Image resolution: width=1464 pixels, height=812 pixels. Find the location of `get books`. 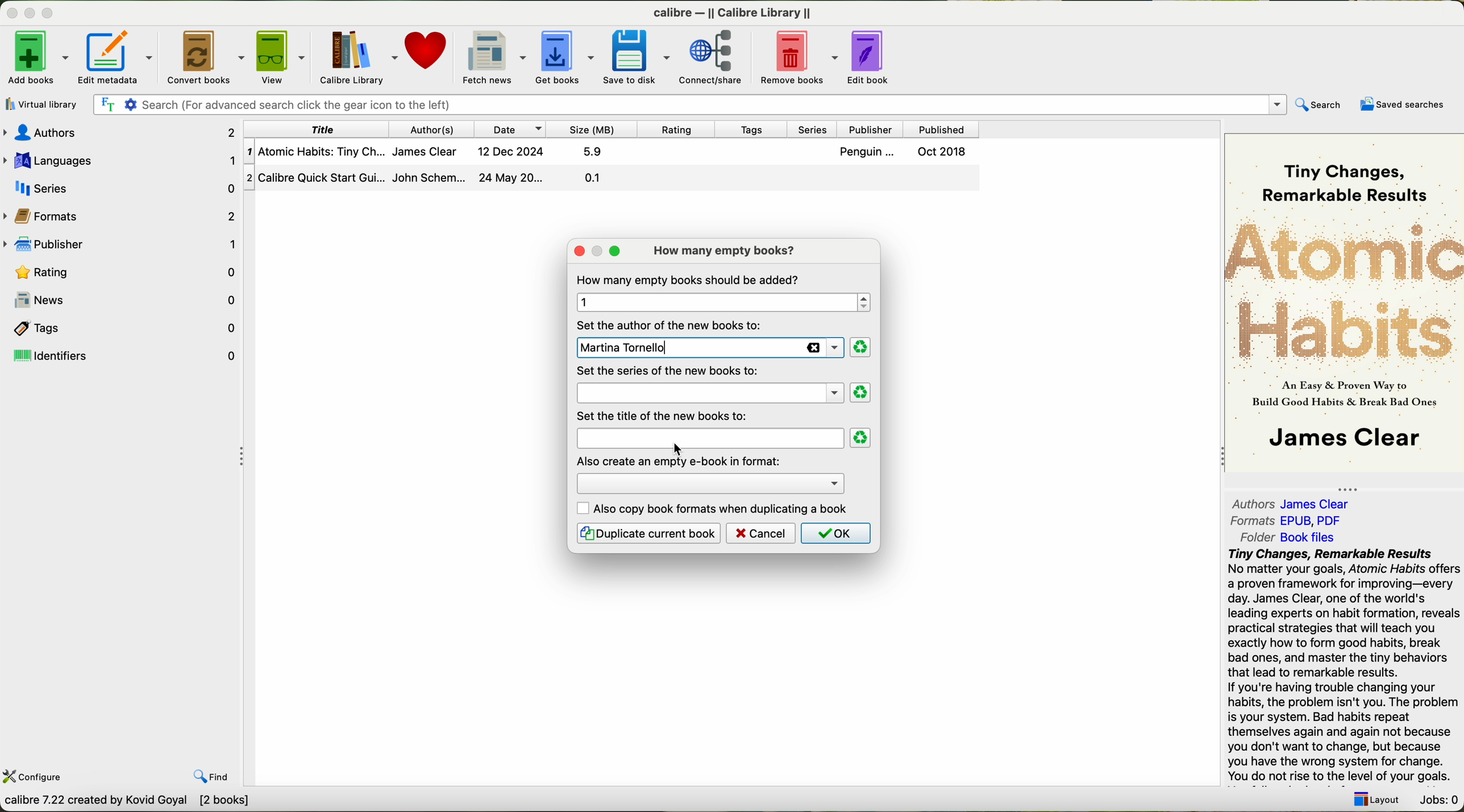

get books is located at coordinates (563, 57).